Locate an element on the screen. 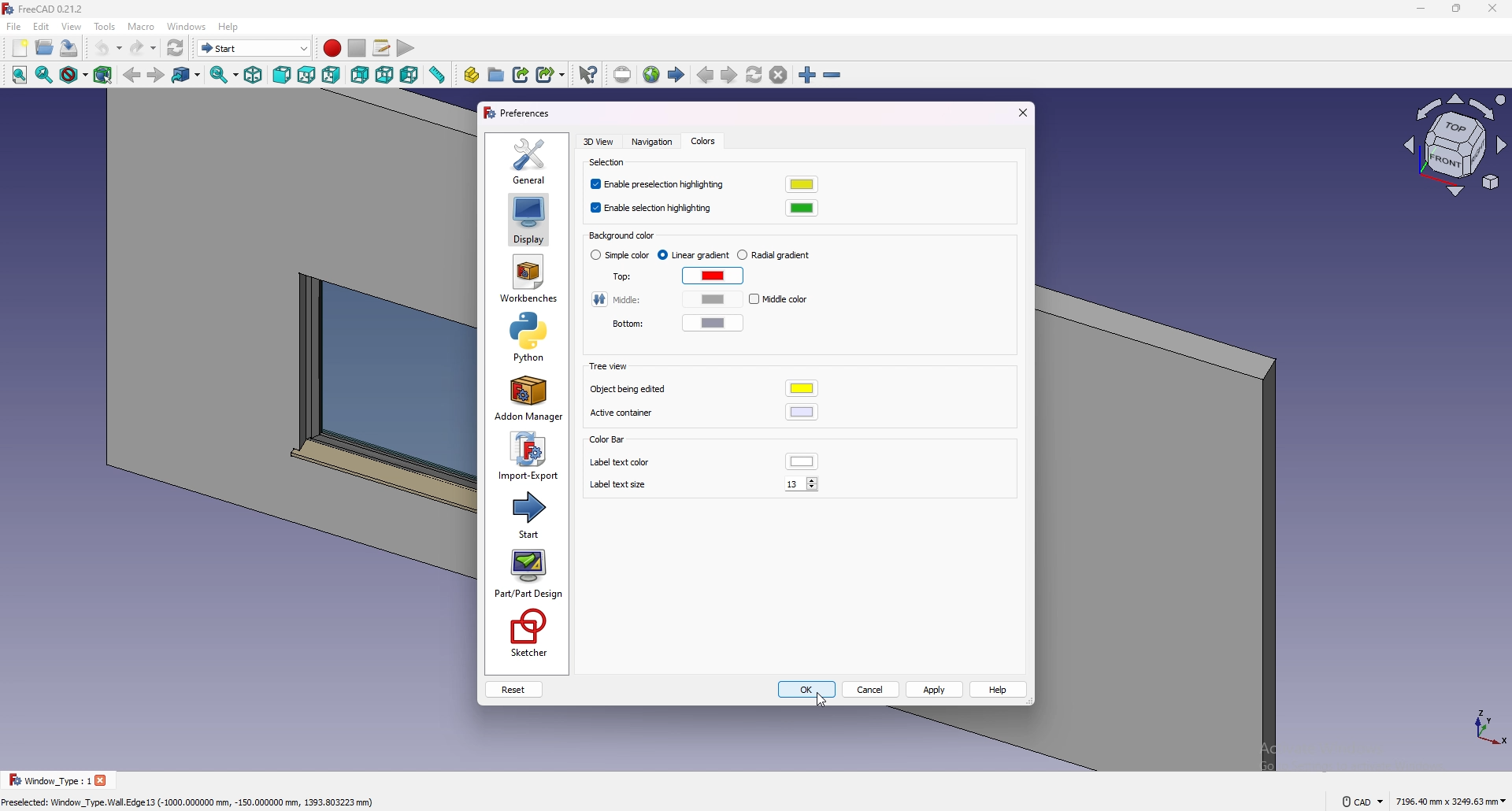 Image resolution: width=1512 pixels, height=811 pixels. go to link object is located at coordinates (187, 76).